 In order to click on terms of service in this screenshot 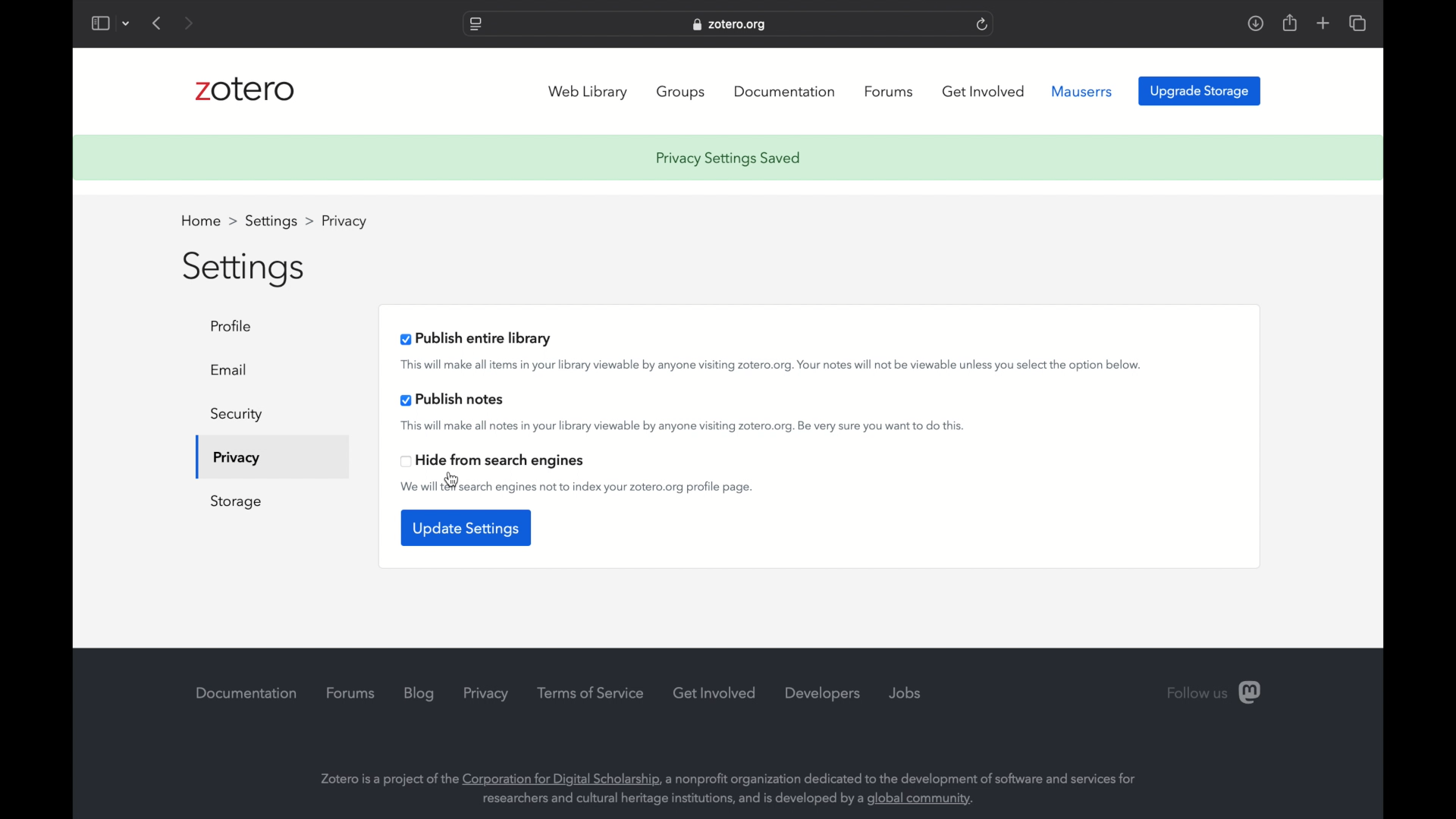, I will do `click(593, 690)`.